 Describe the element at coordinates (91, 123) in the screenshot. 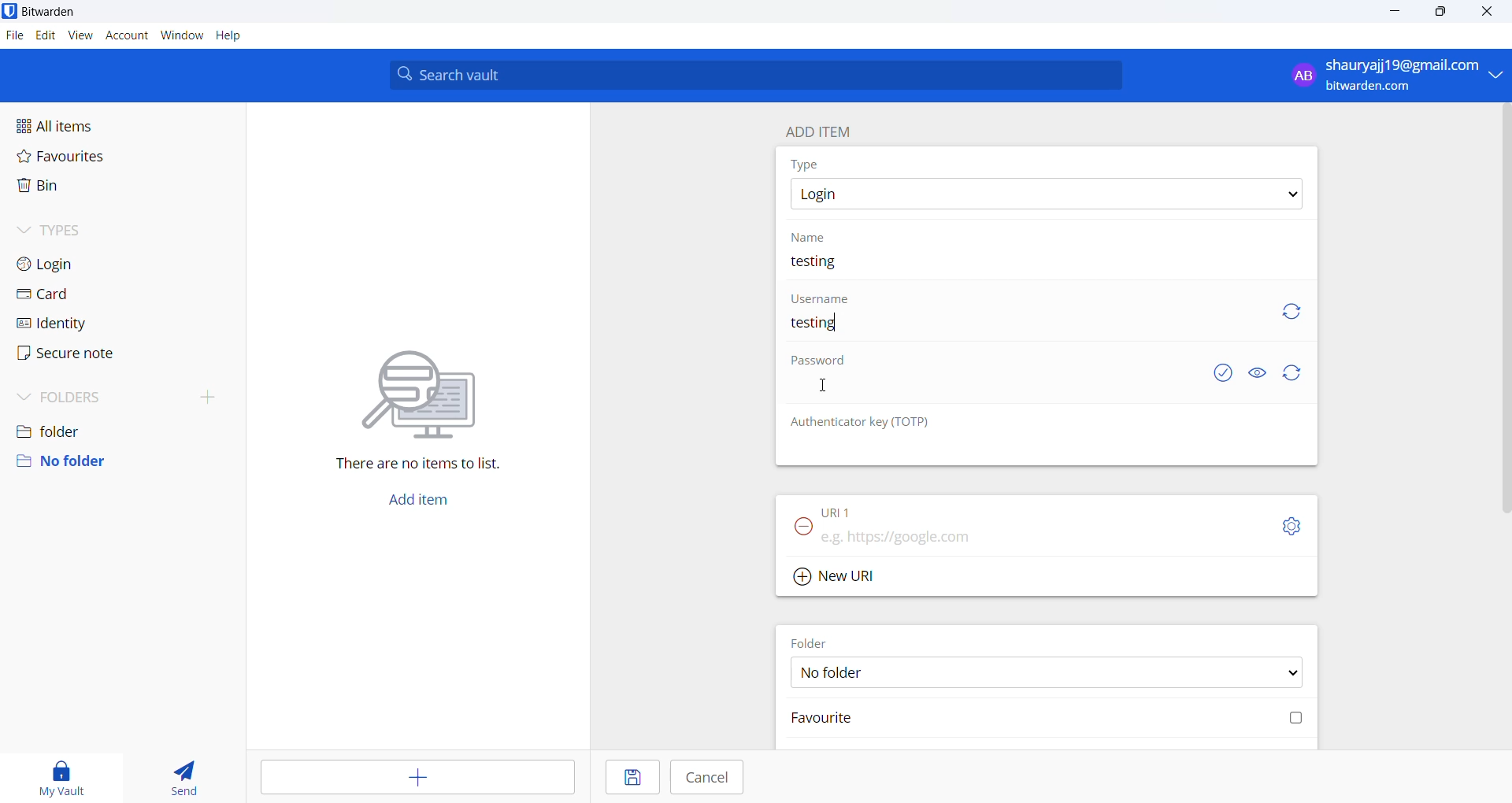

I see `all items` at that location.